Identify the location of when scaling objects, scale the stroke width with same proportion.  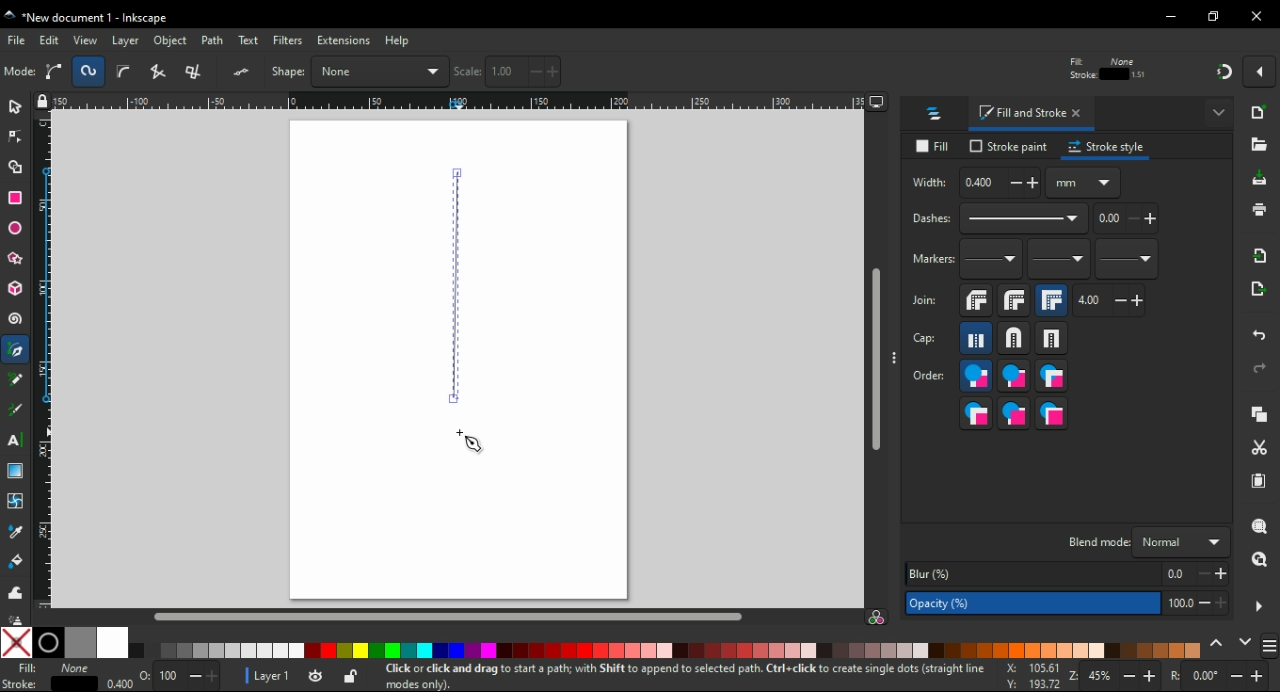
(1068, 71).